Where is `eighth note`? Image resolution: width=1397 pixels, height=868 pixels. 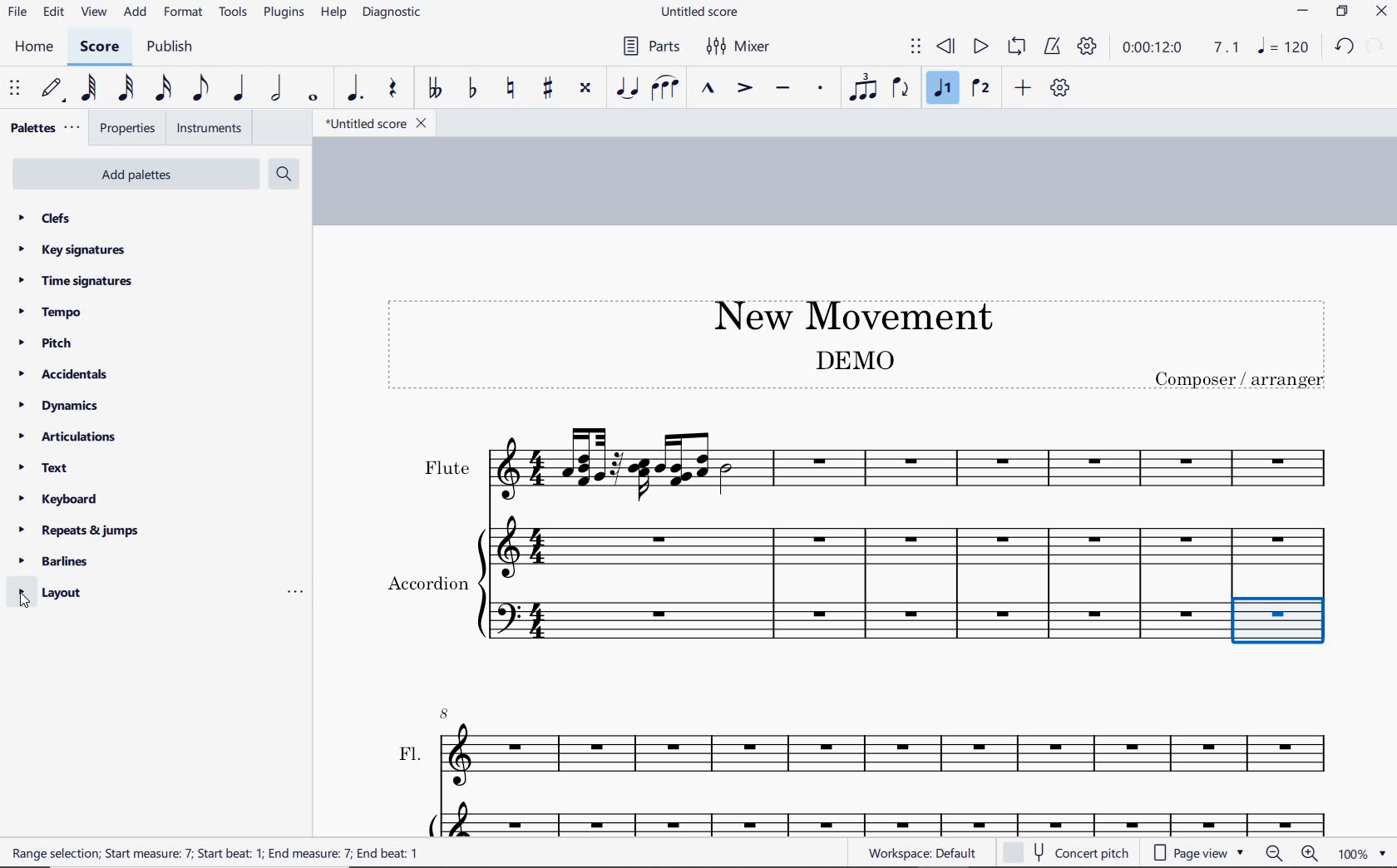
eighth note is located at coordinates (200, 91).